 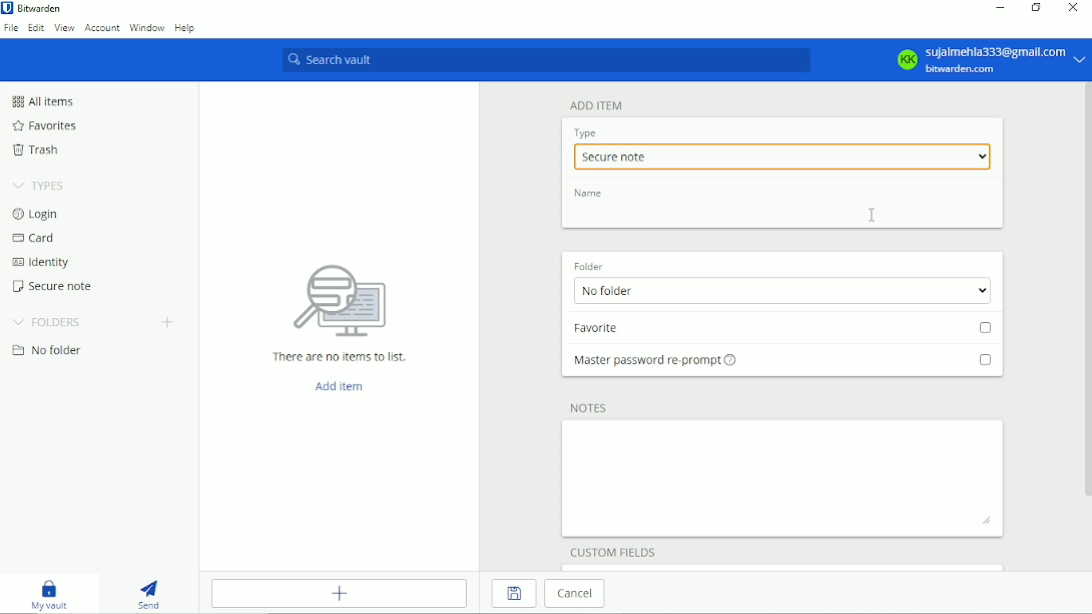 I want to click on Cancel, so click(x=578, y=594).